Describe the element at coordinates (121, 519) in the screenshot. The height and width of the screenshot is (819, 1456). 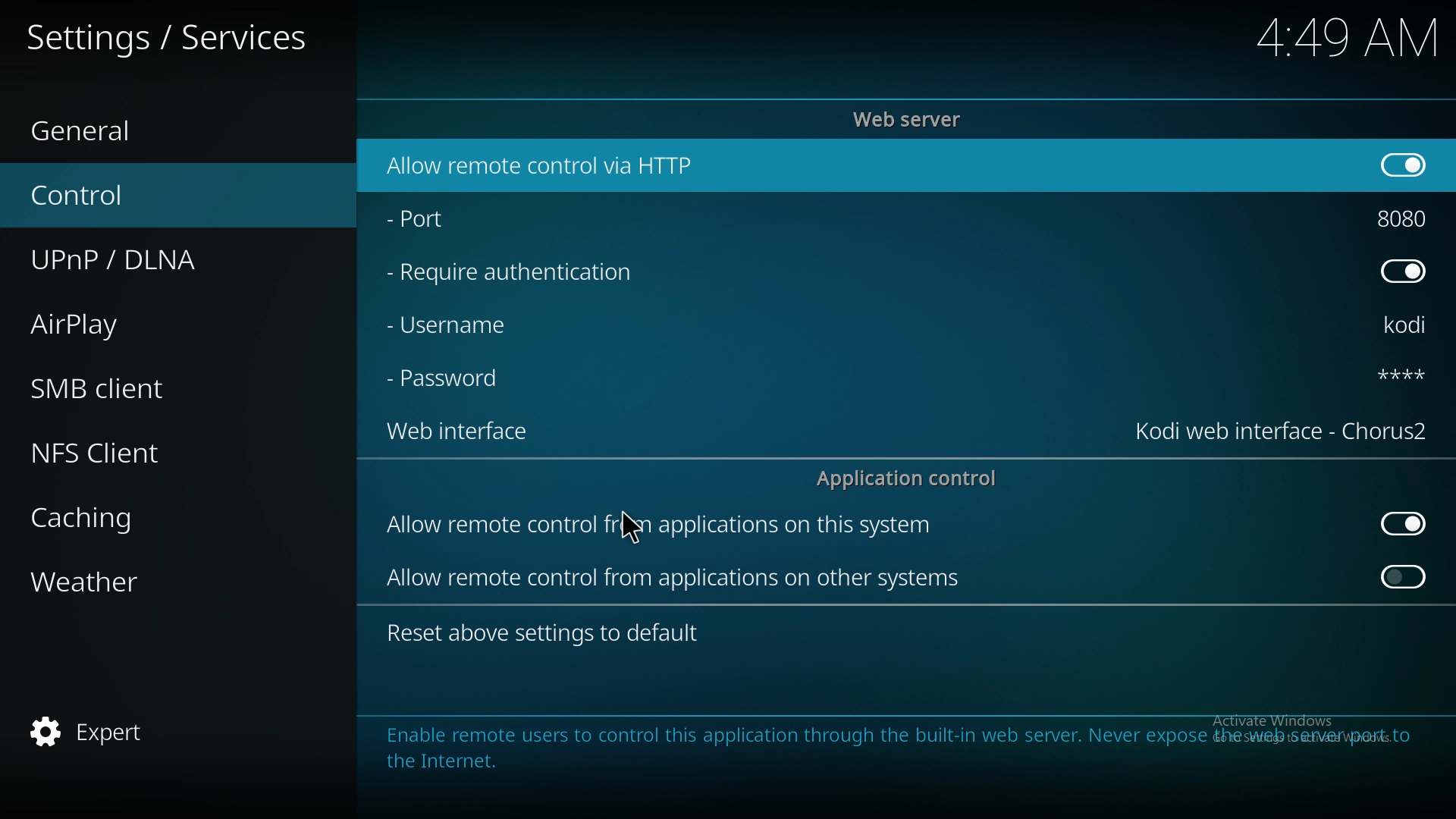
I see `caching` at that location.